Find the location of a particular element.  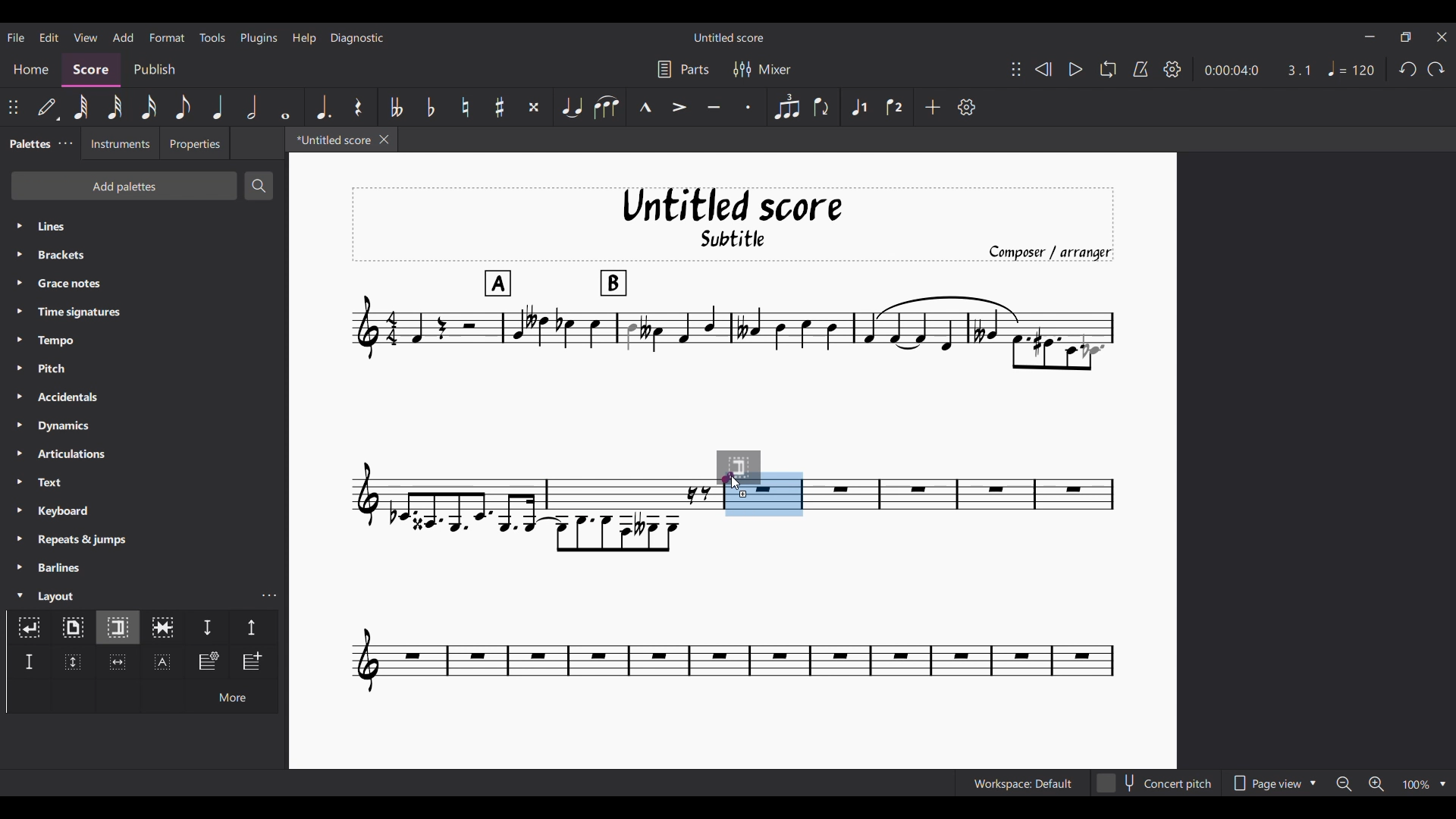

Search is located at coordinates (257, 186).